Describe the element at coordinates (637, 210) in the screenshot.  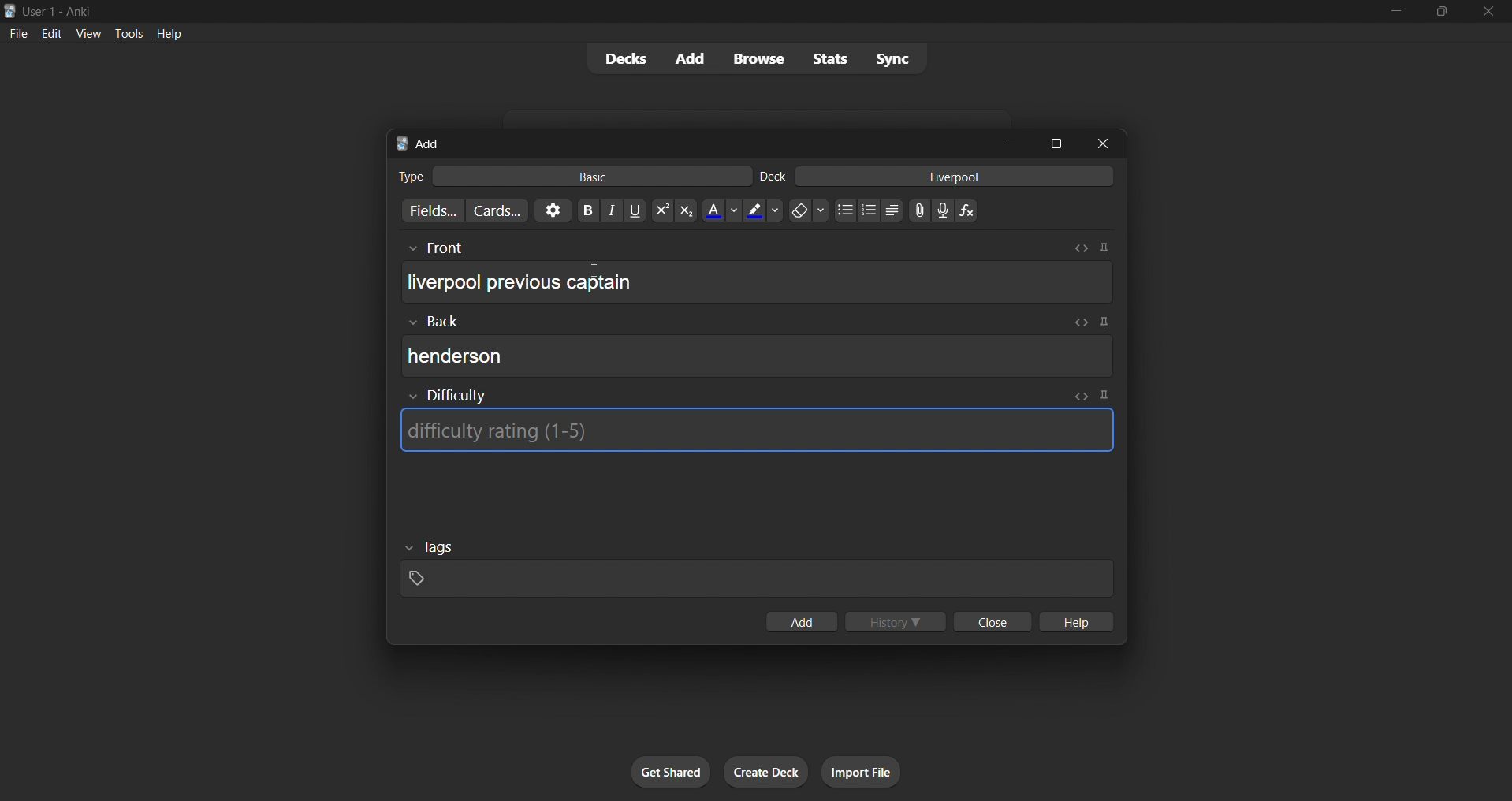
I see `underline` at that location.